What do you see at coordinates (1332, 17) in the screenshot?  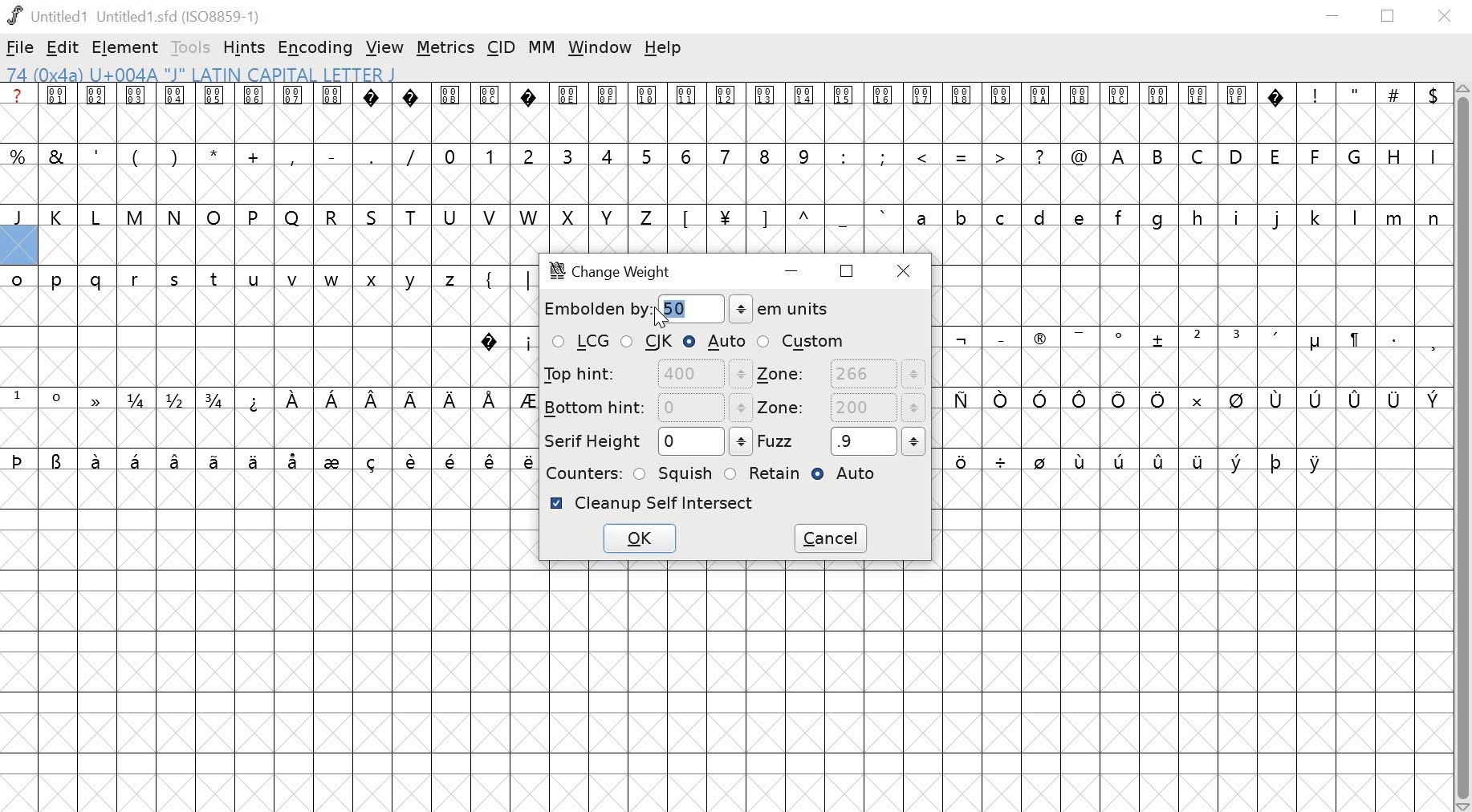 I see `minimize` at bounding box center [1332, 17].